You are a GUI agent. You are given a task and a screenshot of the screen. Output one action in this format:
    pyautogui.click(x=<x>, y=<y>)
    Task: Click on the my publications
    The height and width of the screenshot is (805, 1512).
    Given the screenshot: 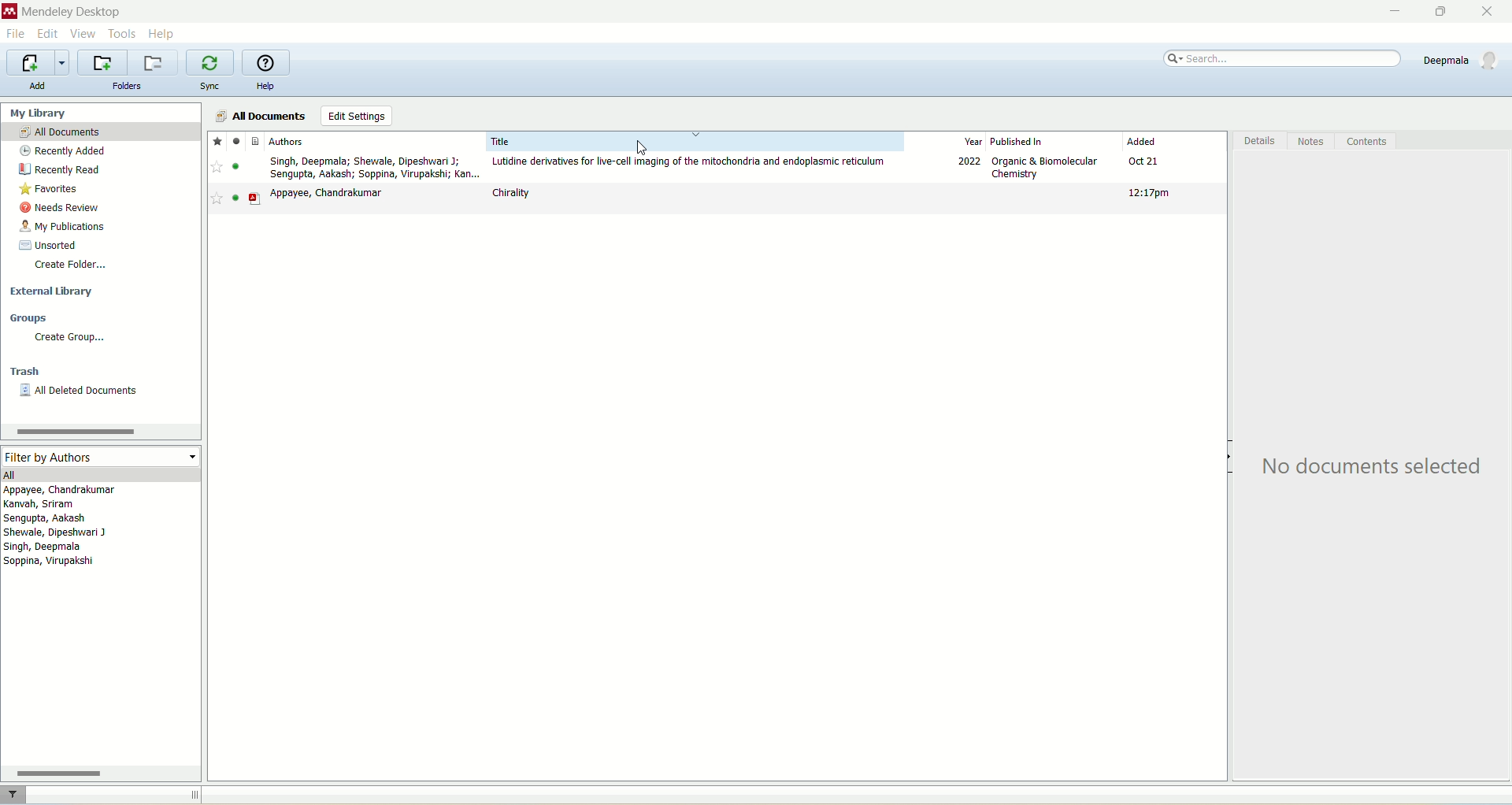 What is the action you would take?
    pyautogui.click(x=60, y=226)
    